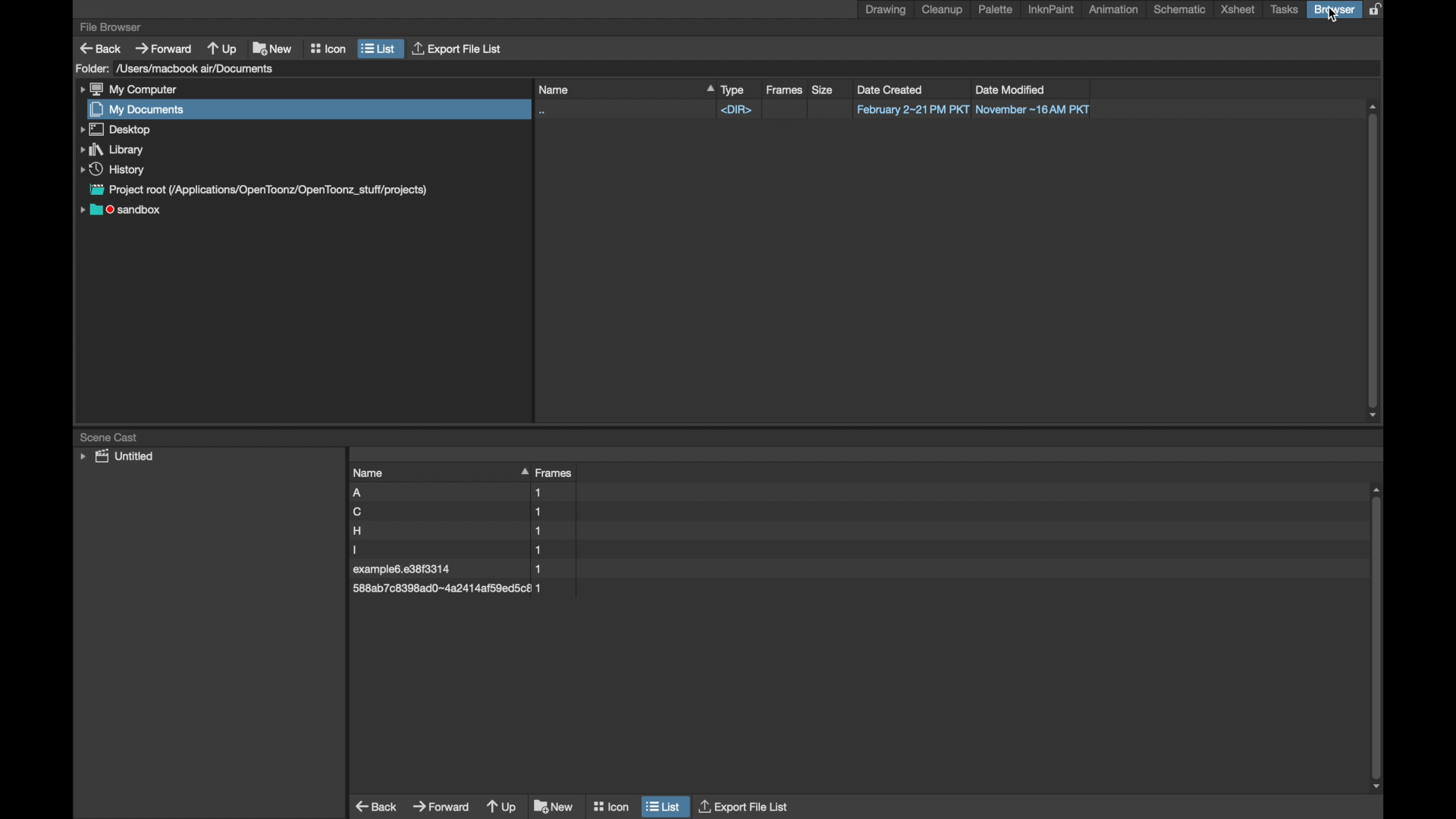 This screenshot has width=1456, height=819. I want to click on untitled, so click(115, 457).